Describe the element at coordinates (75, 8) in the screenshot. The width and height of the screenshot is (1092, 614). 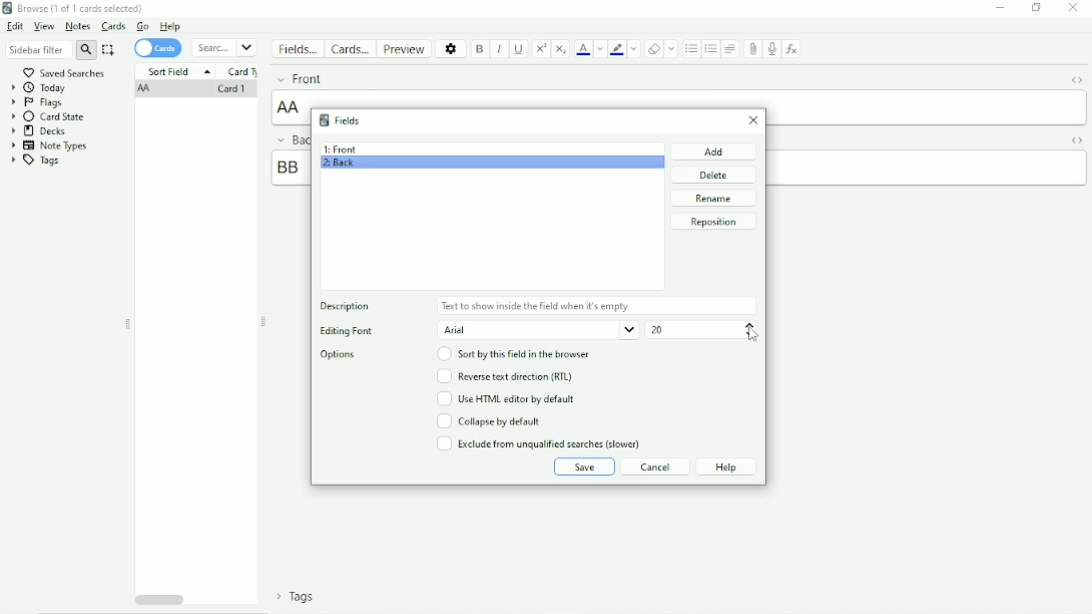
I see `Browse (1 of 1 cards selected)` at that location.